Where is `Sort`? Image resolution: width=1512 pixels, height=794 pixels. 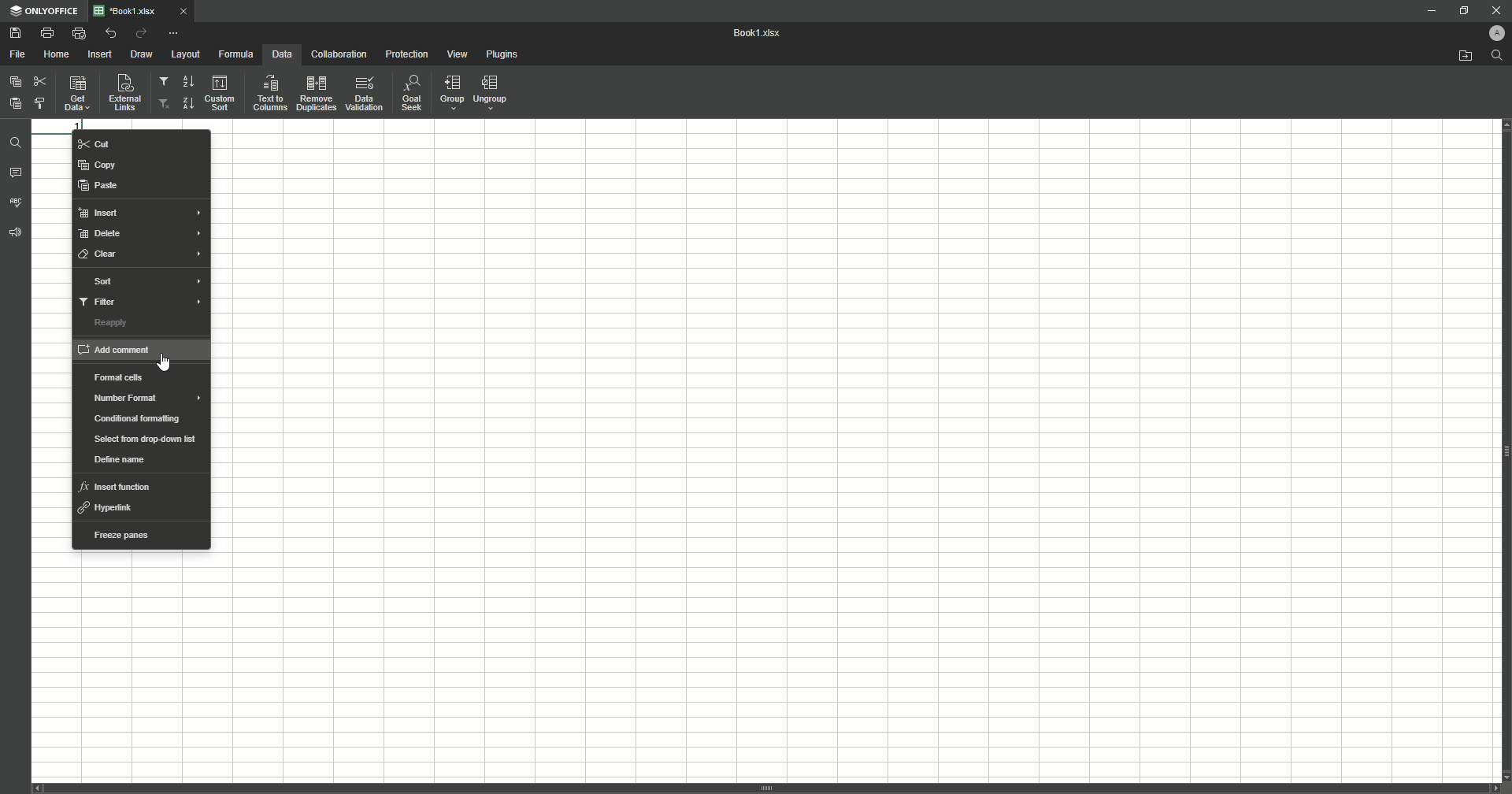 Sort is located at coordinates (99, 280).